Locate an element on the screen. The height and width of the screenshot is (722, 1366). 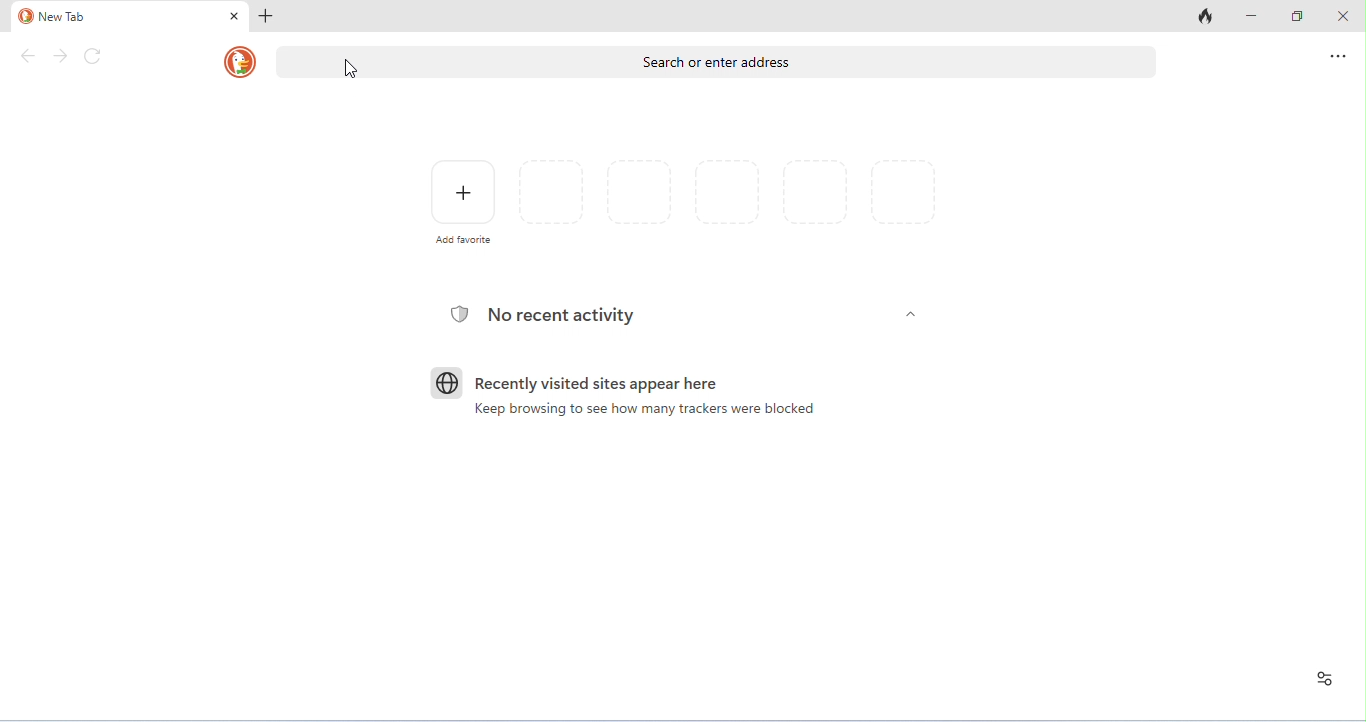
Websites symbol is located at coordinates (447, 383).